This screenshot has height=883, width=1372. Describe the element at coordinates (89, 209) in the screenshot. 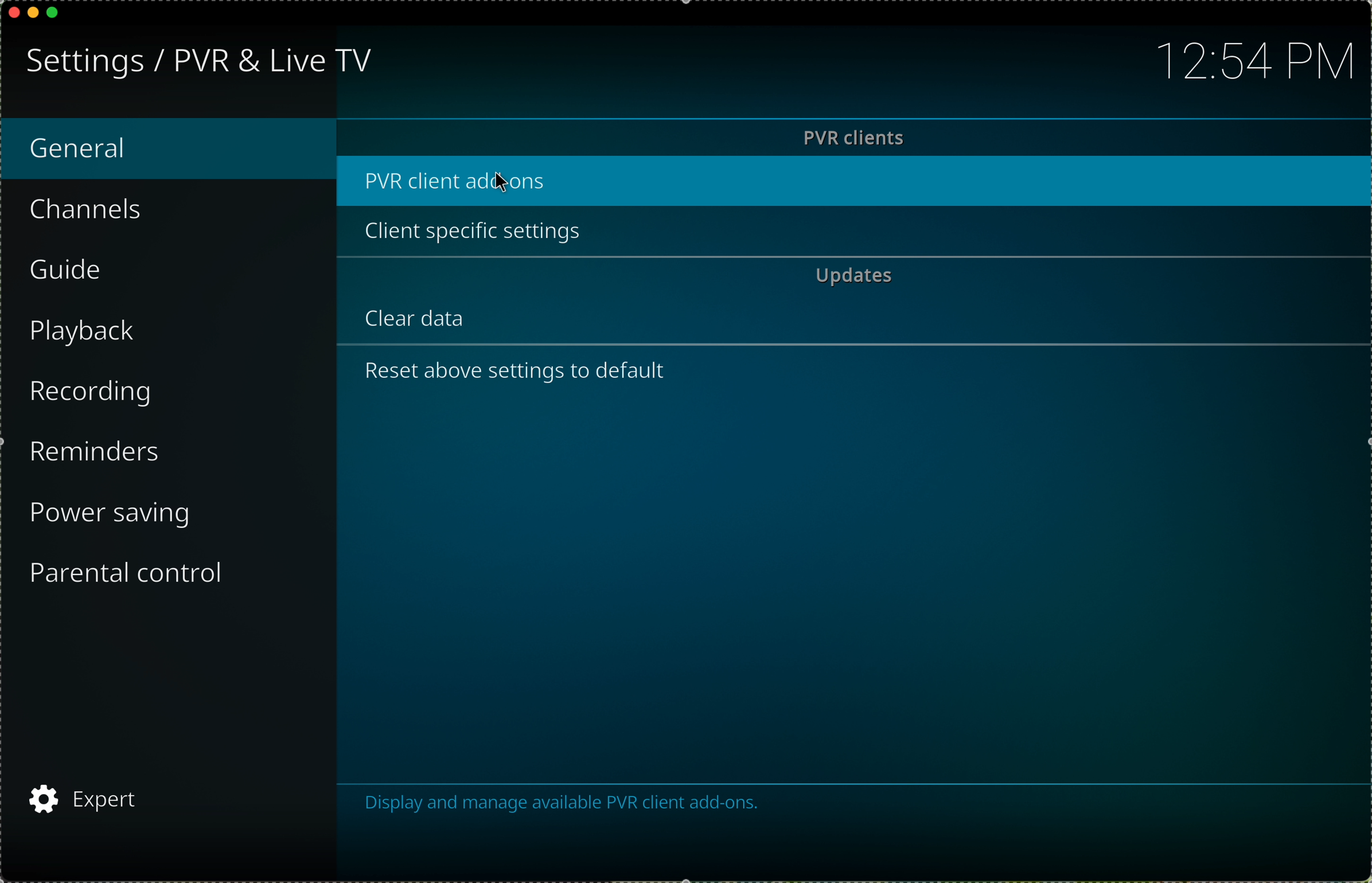

I see `channels` at that location.